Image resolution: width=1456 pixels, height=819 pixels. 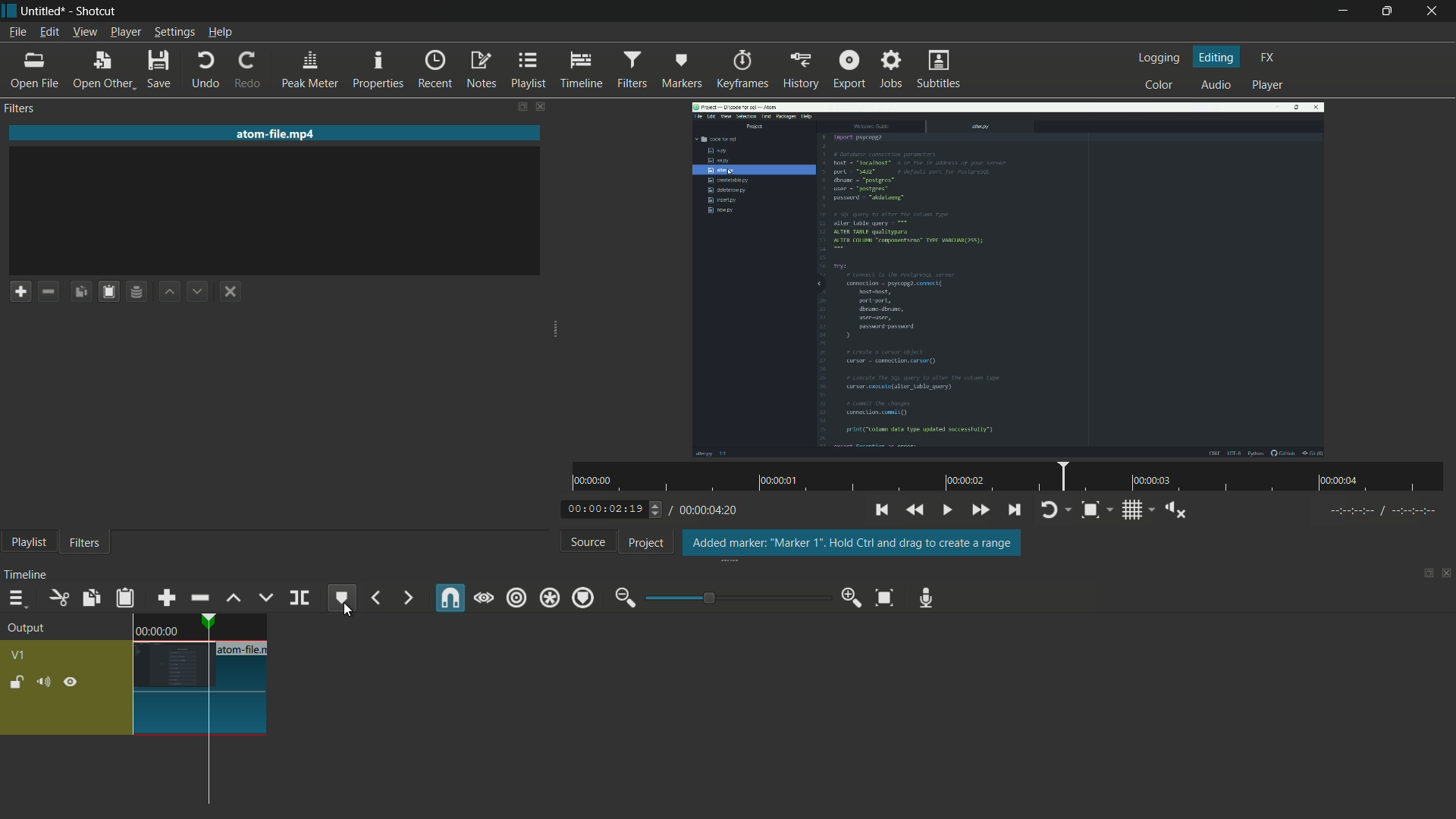 I want to click on ripple markers, so click(x=584, y=599).